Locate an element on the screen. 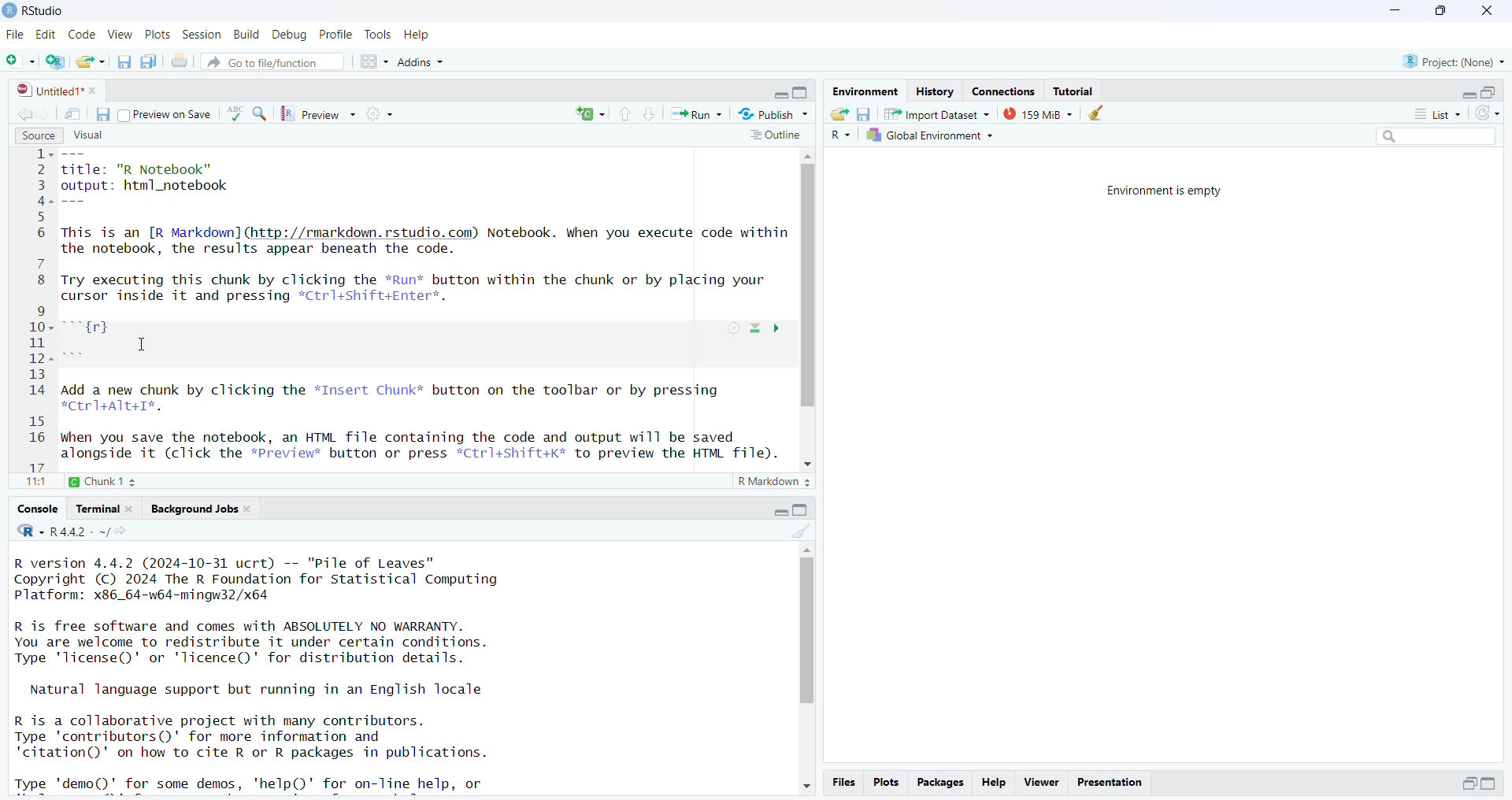 The image size is (1512, 800). clear object from the workspace is located at coordinates (1099, 113).